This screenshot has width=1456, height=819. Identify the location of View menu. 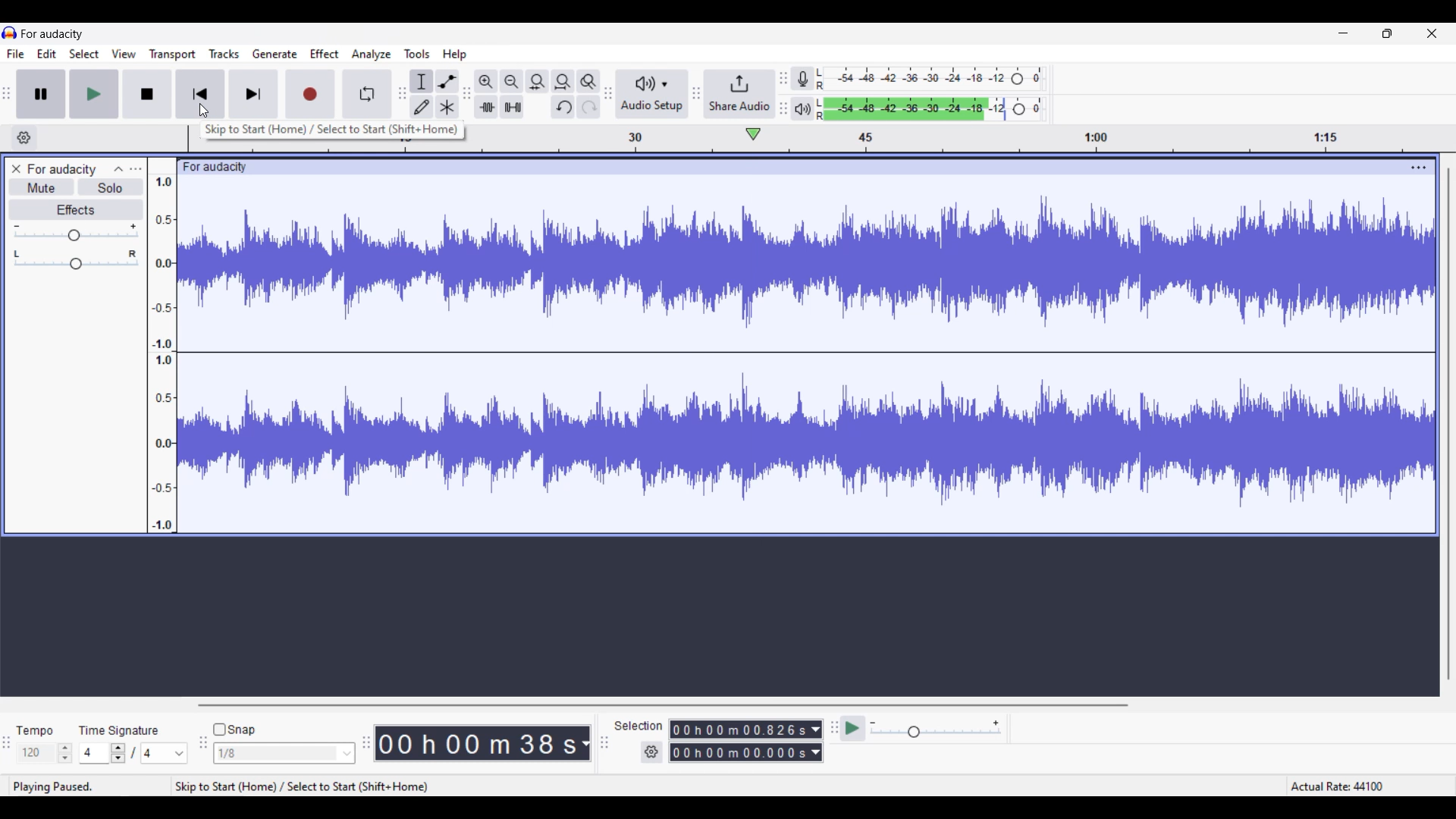
(124, 53).